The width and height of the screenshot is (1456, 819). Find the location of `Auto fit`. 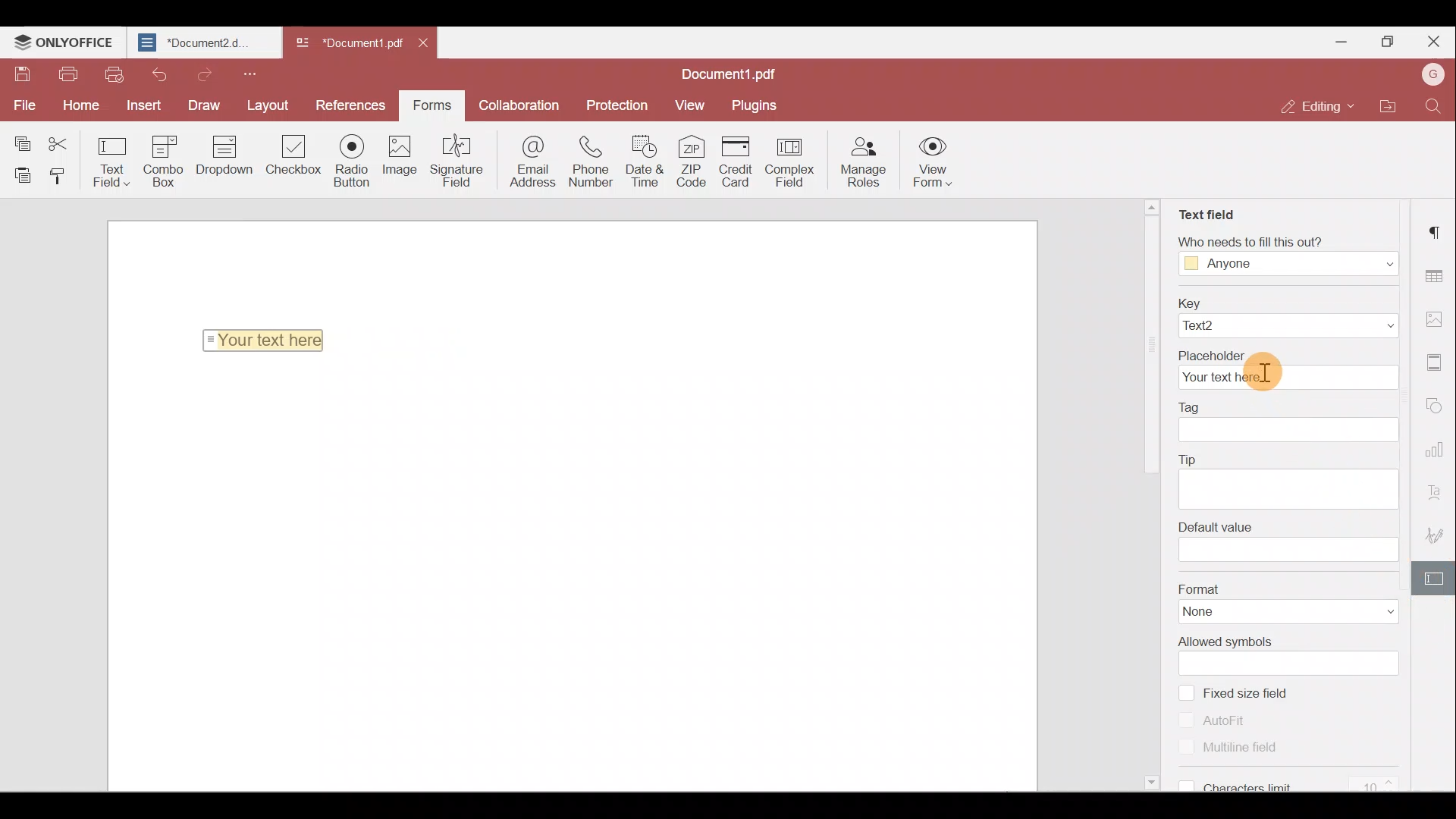

Auto fit is located at coordinates (1233, 719).